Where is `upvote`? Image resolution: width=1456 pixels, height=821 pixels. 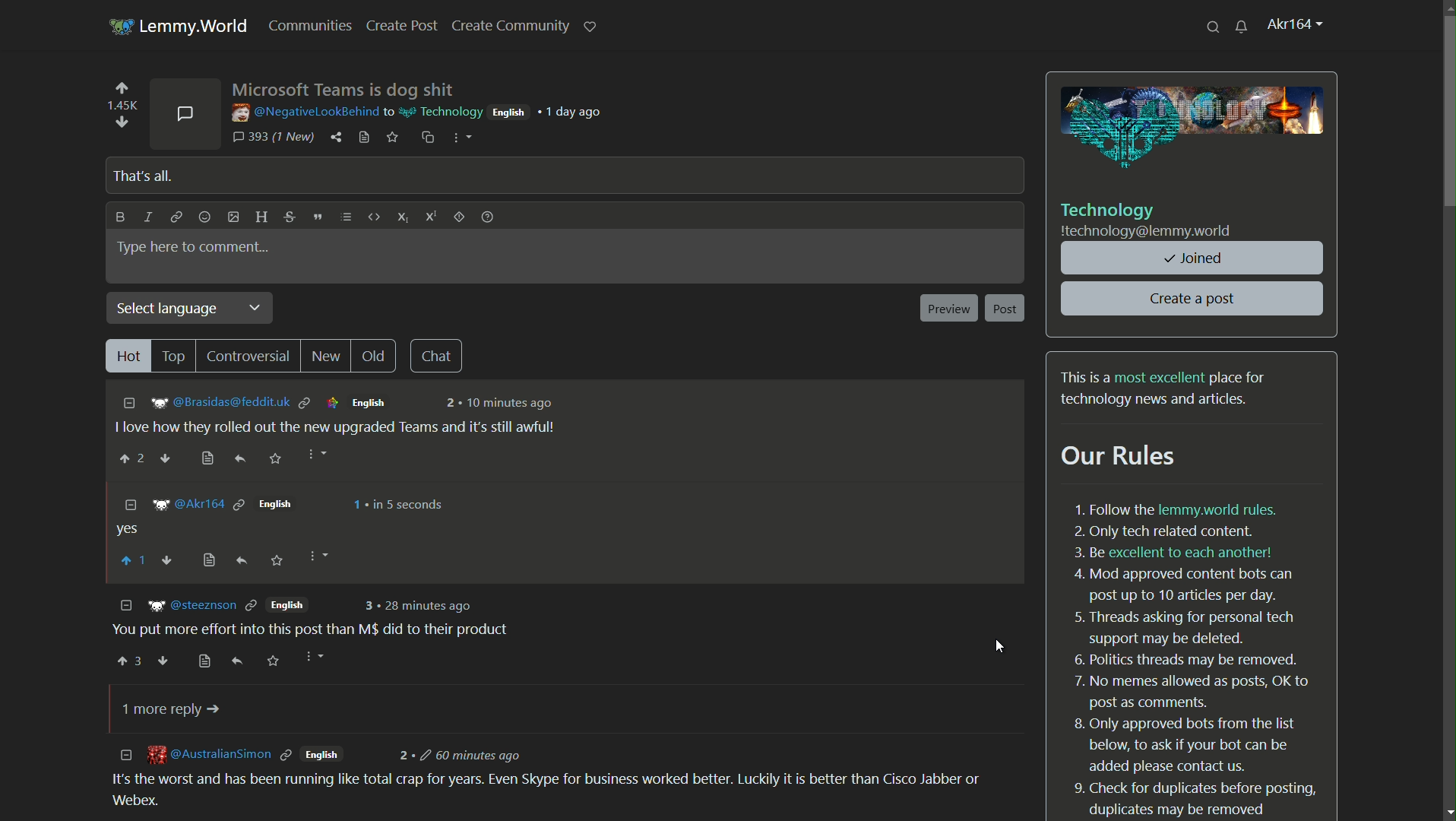
upvote is located at coordinates (131, 458).